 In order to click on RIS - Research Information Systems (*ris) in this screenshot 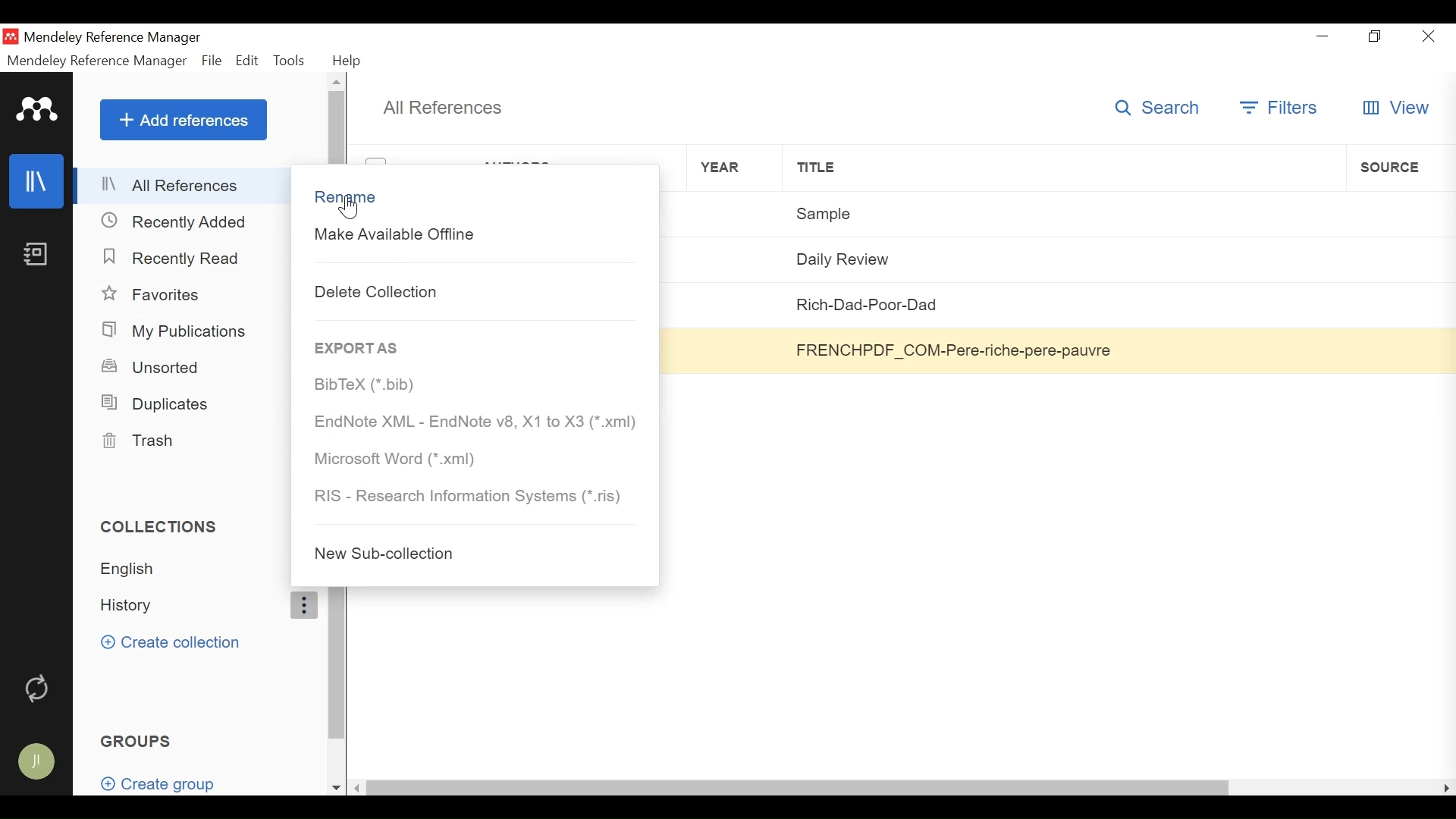, I will do `click(472, 496)`.